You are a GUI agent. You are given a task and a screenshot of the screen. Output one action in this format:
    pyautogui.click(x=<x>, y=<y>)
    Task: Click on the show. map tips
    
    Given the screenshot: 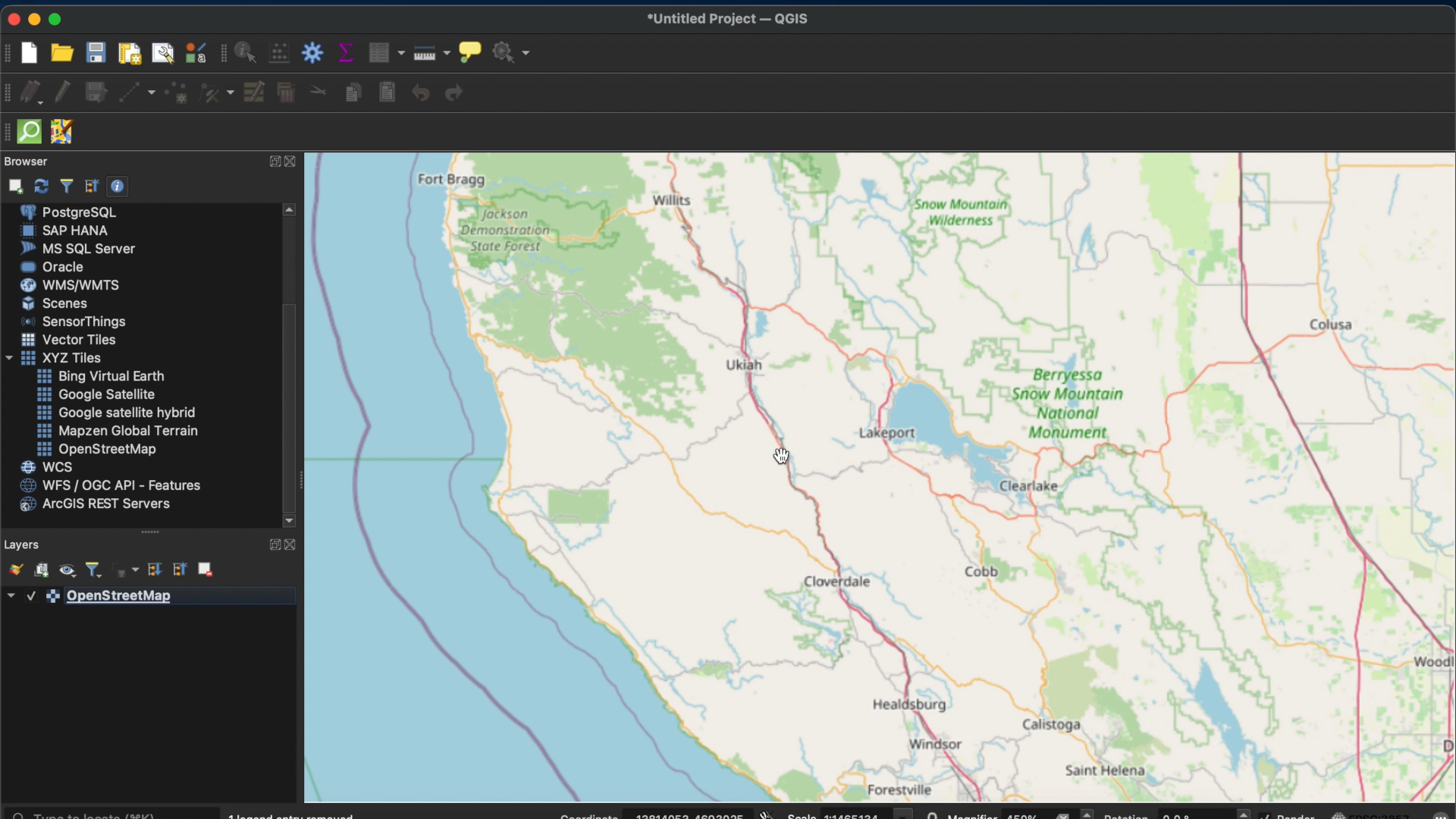 What is the action you would take?
    pyautogui.click(x=468, y=51)
    